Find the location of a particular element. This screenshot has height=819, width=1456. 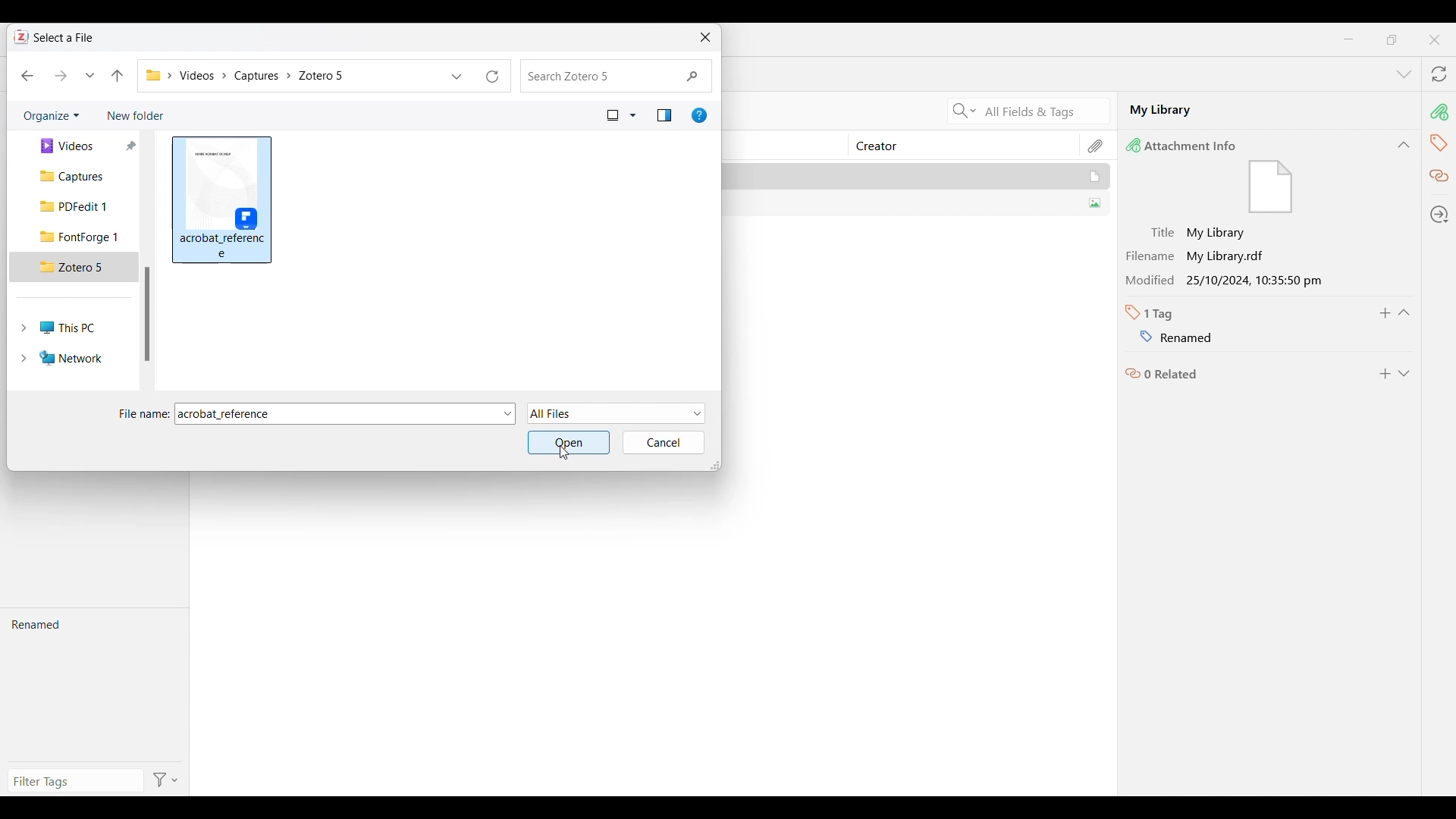

Related is located at coordinates (1440, 177).